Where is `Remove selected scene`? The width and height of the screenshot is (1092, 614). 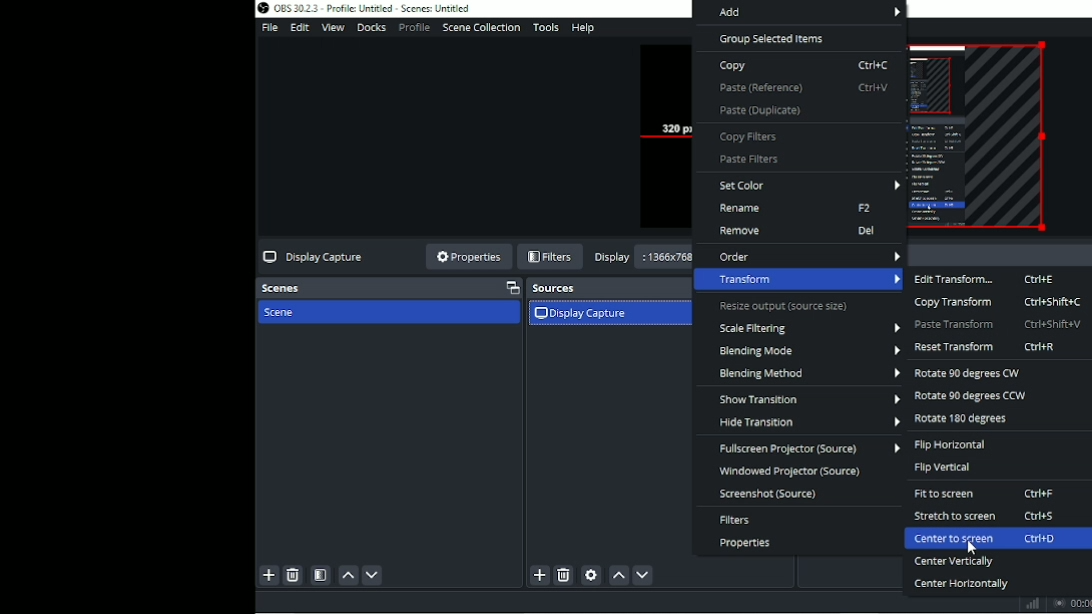
Remove selected scene is located at coordinates (293, 576).